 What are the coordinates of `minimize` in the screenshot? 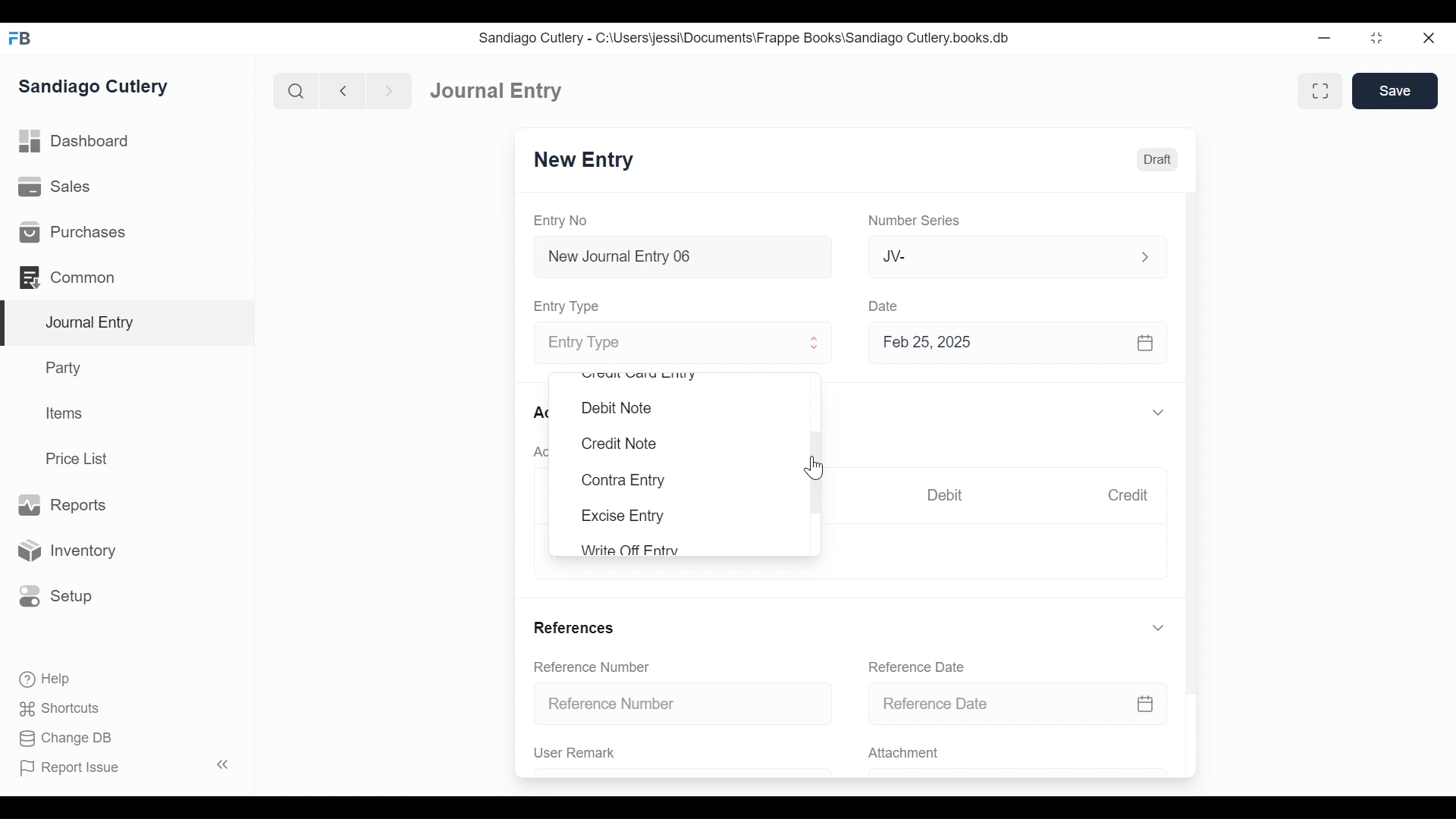 It's located at (1325, 37).